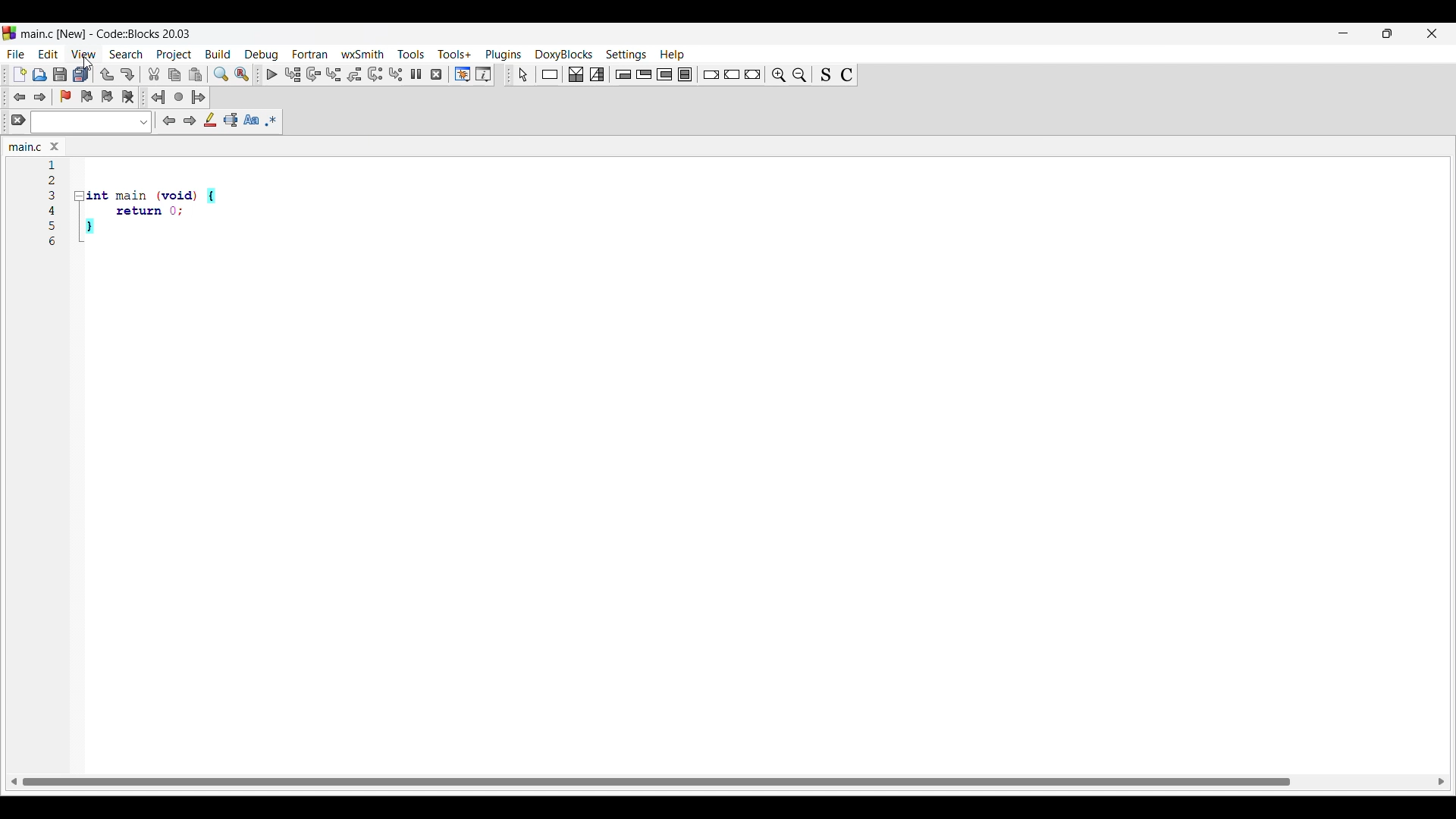  What do you see at coordinates (218, 54) in the screenshot?
I see `Build menu` at bounding box center [218, 54].